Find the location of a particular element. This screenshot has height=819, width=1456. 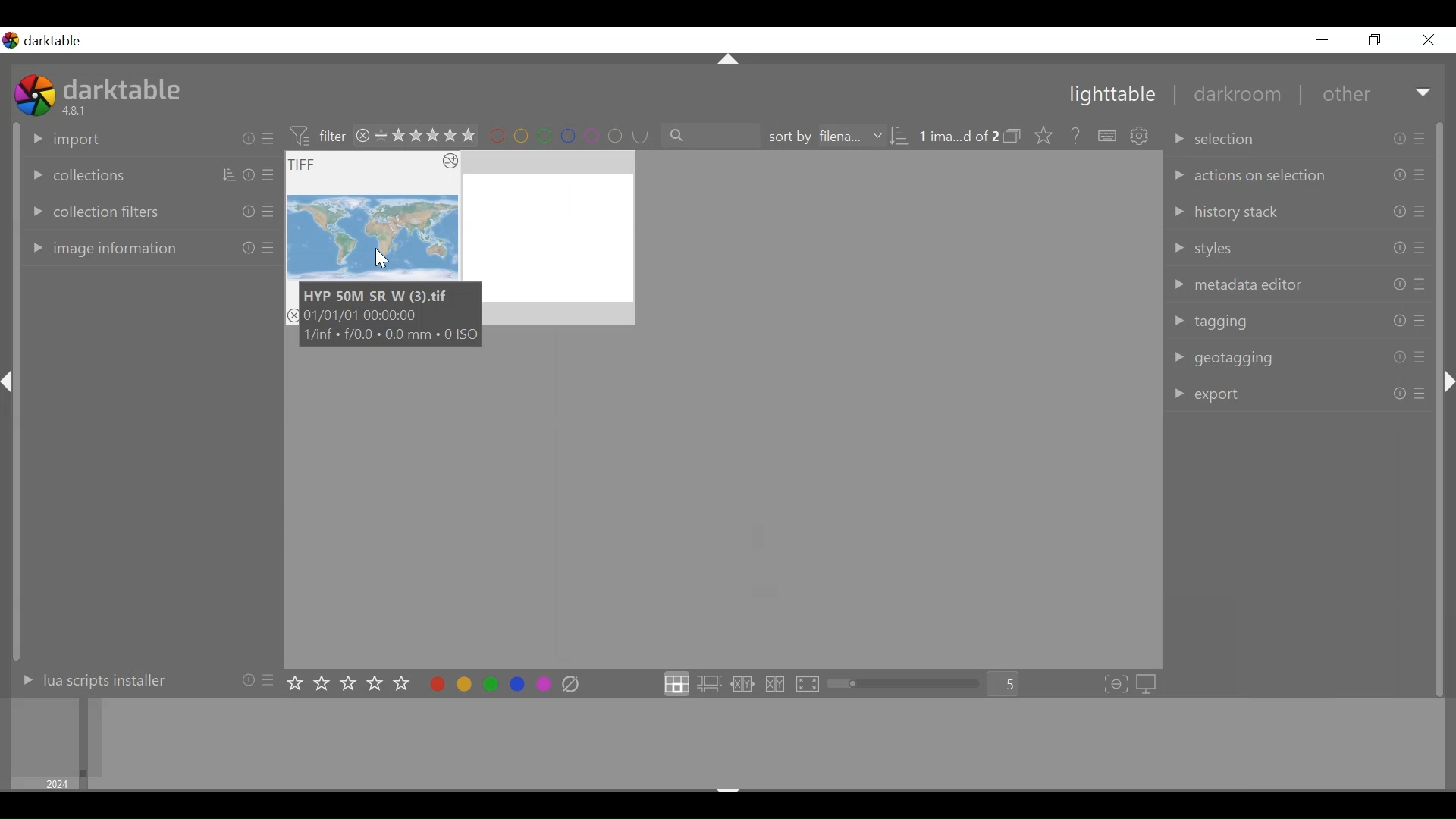

toggle focus-peaking mode is located at coordinates (1116, 684).